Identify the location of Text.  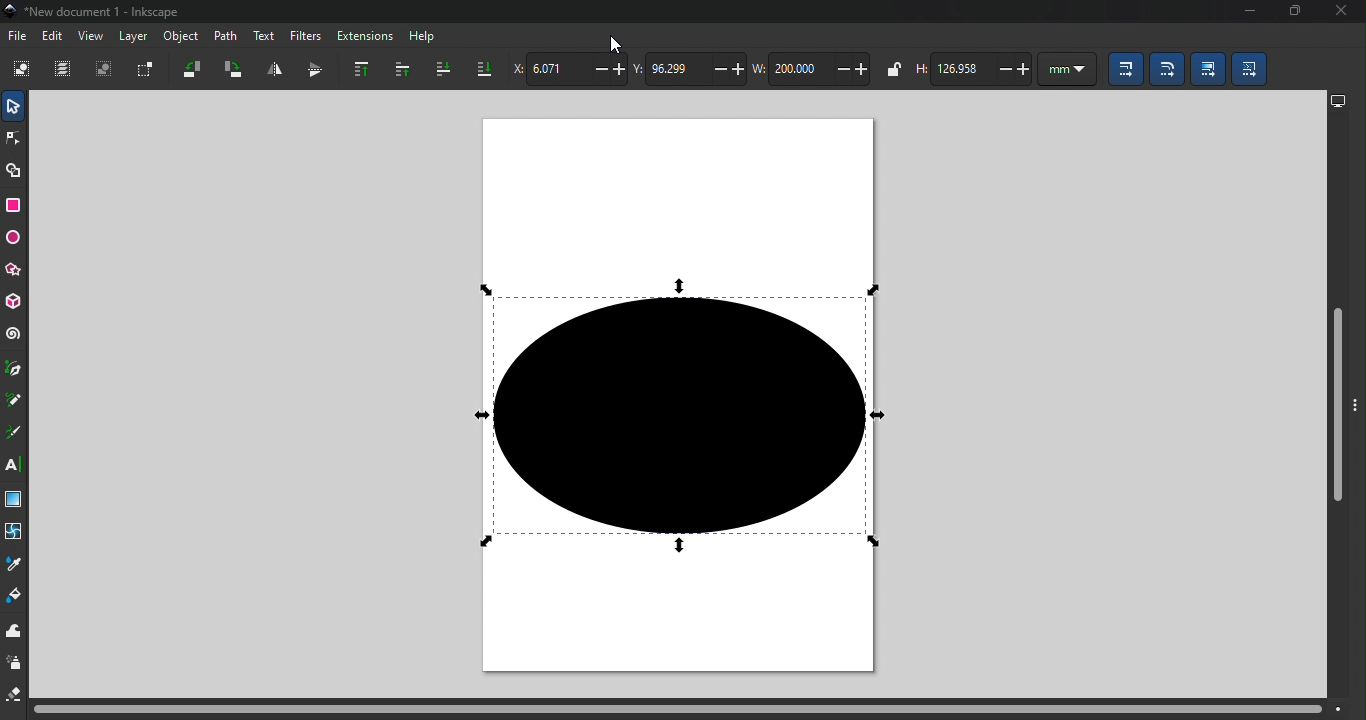
(262, 34).